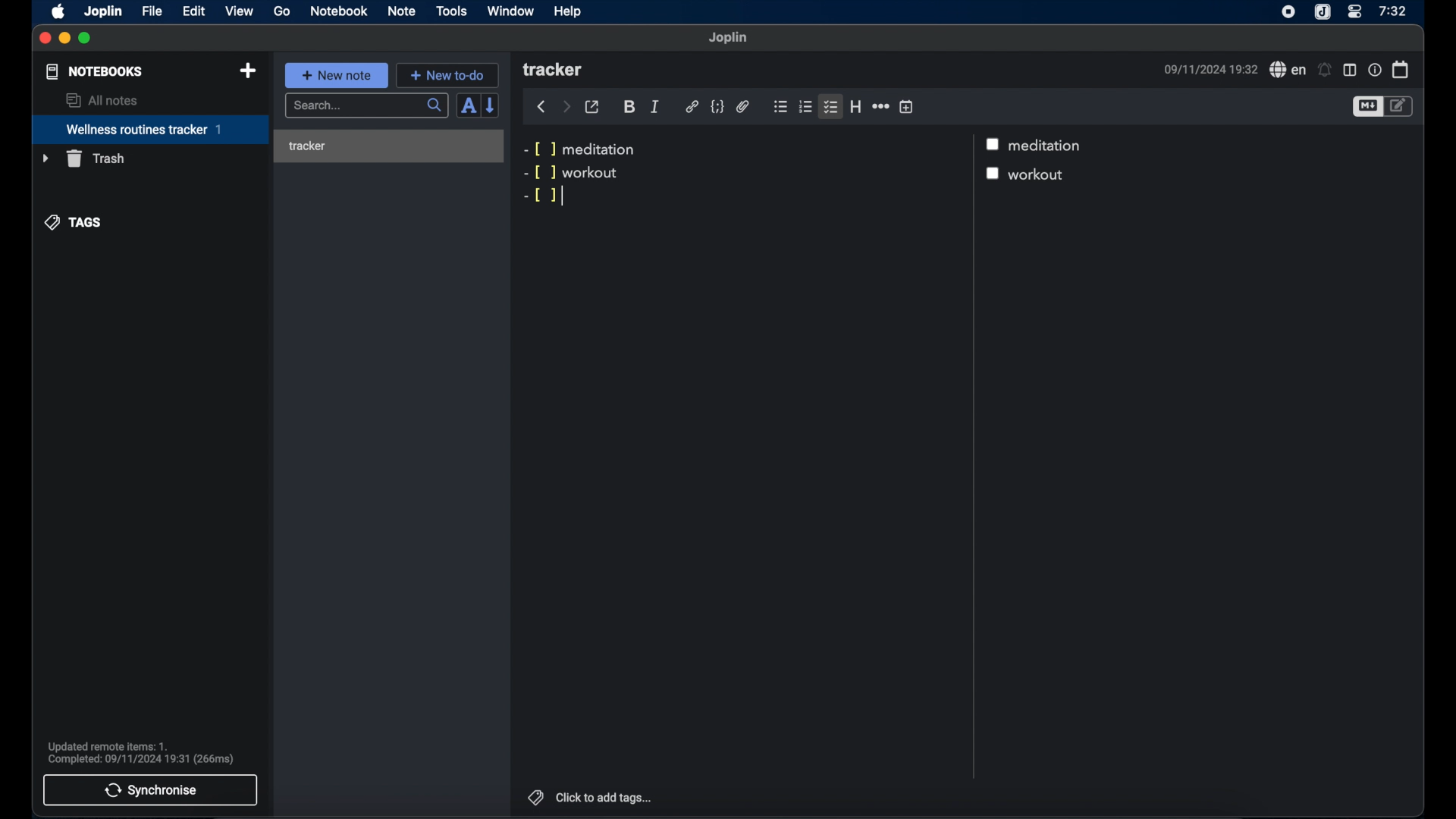 Image resolution: width=1456 pixels, height=819 pixels. Describe the element at coordinates (491, 105) in the screenshot. I see `reverse sort order` at that location.